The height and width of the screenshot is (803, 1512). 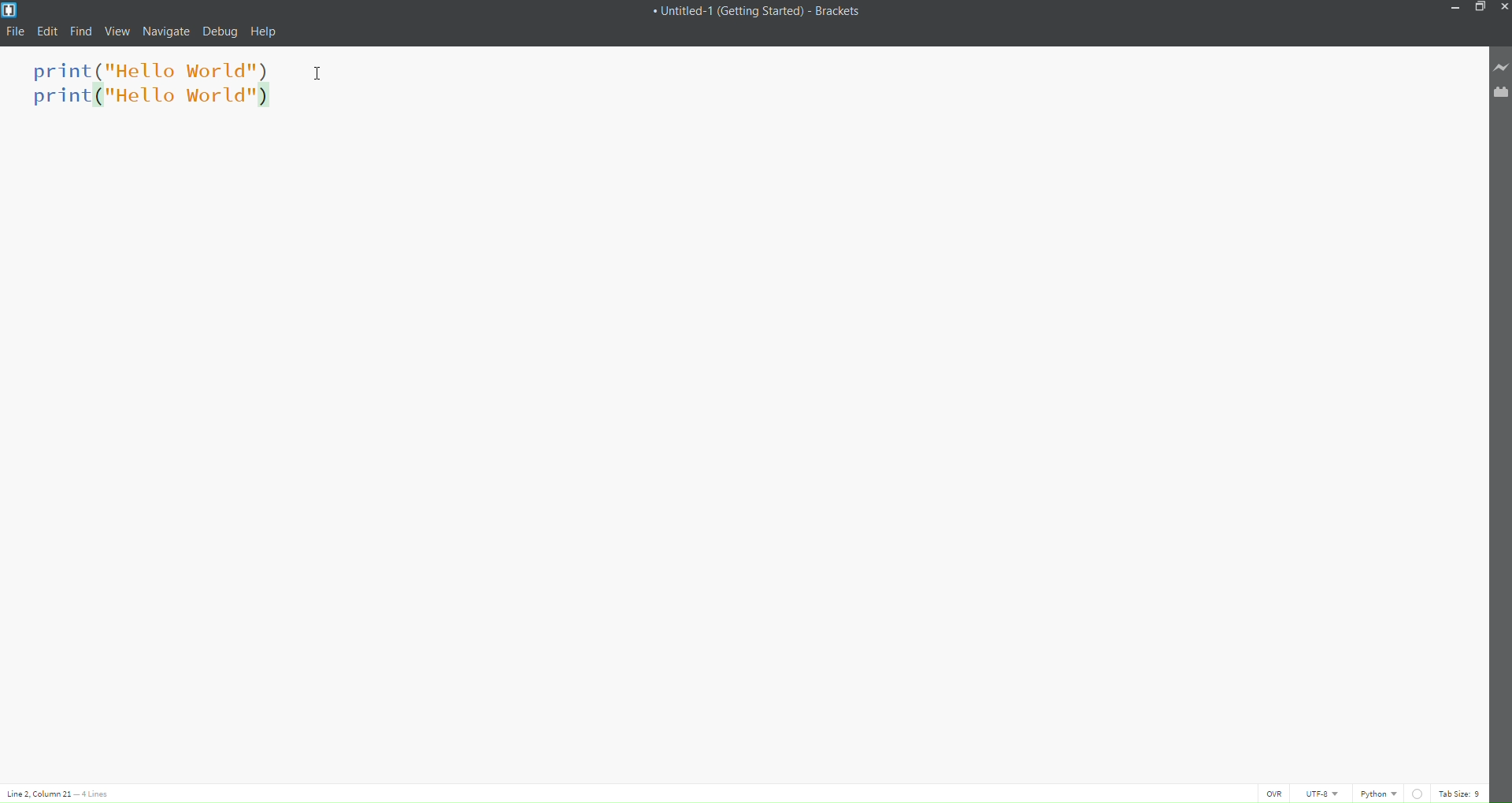 I want to click on cursor, so click(x=321, y=74).